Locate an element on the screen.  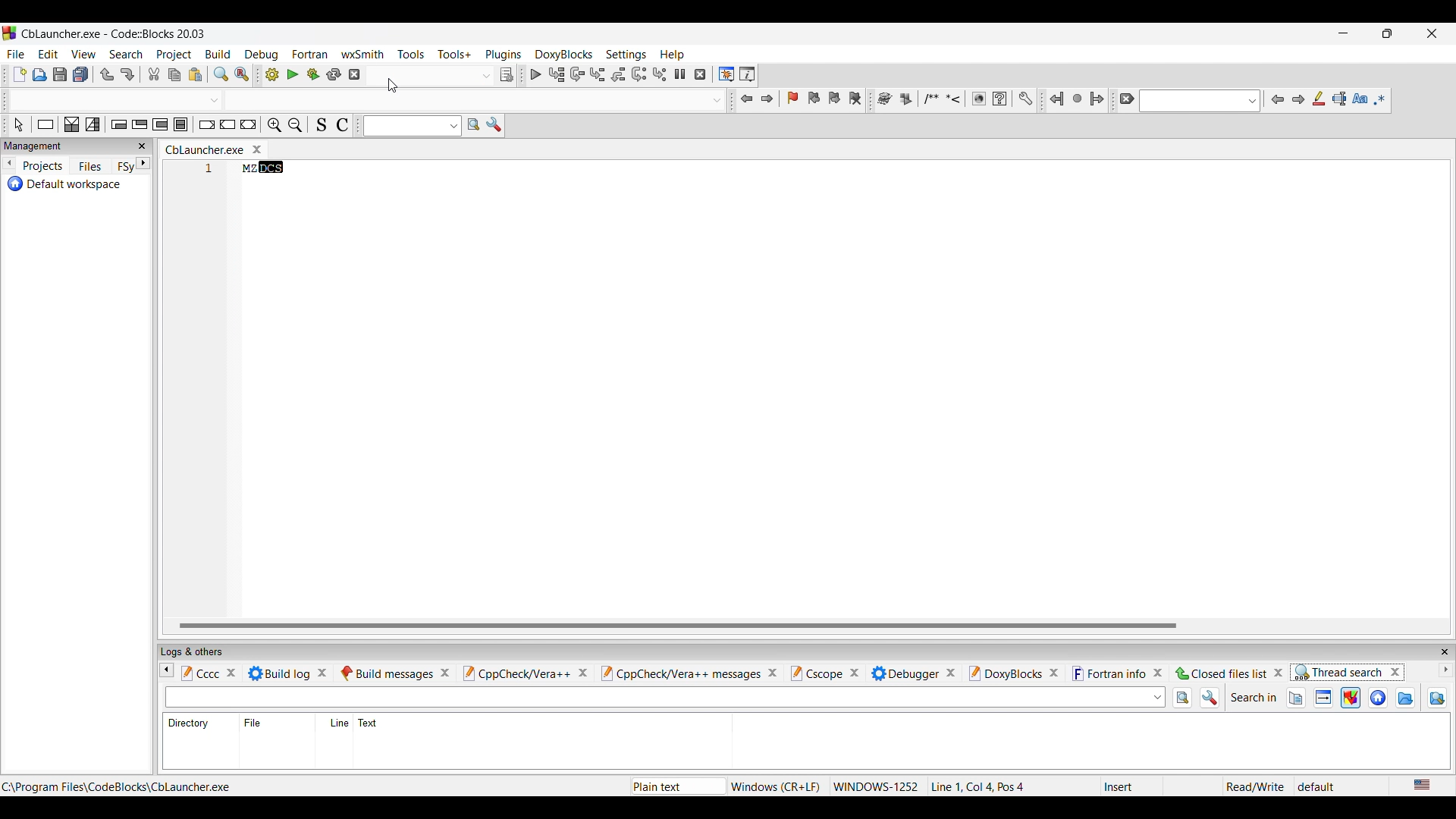
Next bookmark is located at coordinates (834, 98).